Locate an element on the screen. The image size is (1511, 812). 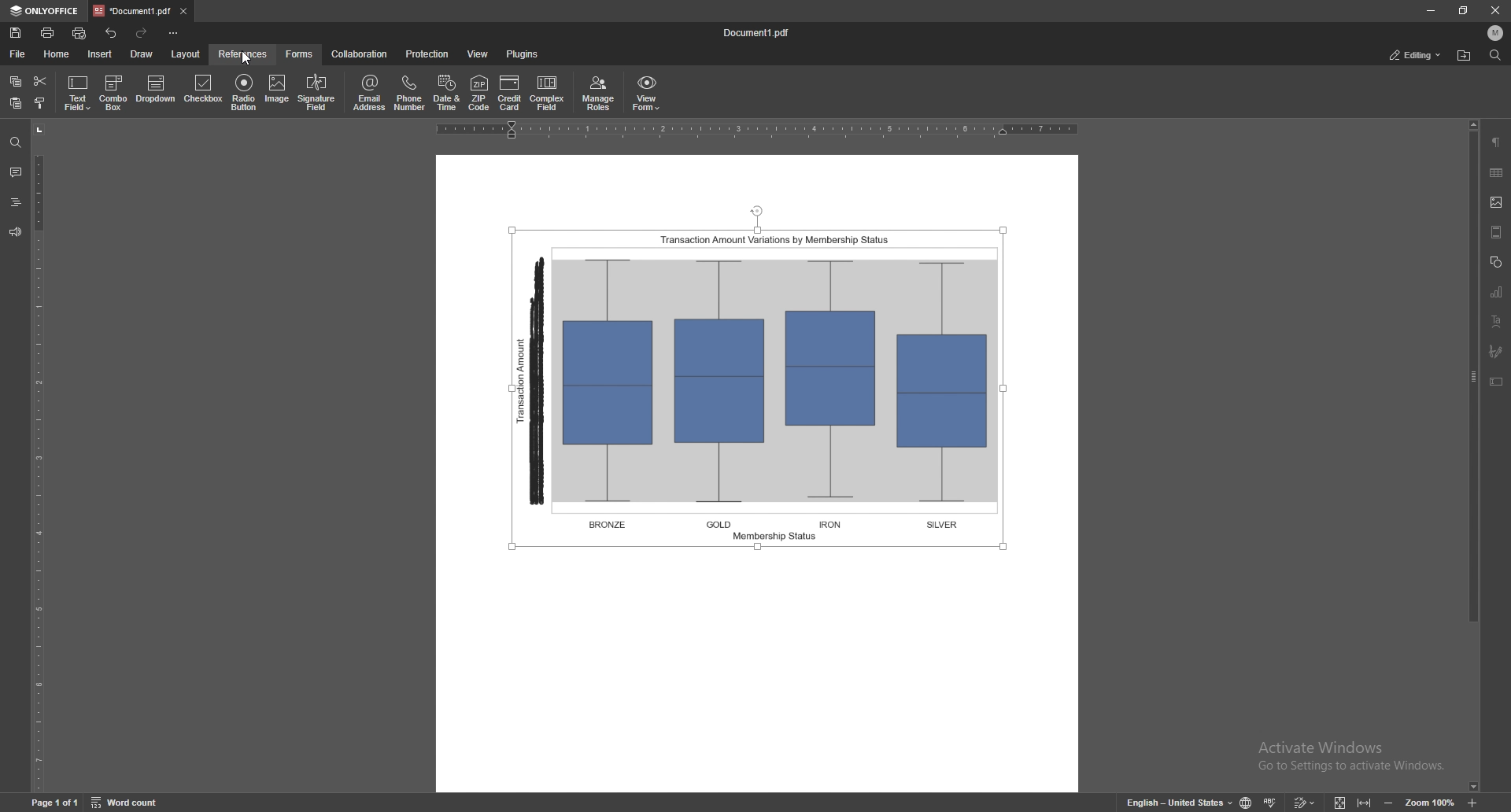
home is located at coordinates (57, 54).